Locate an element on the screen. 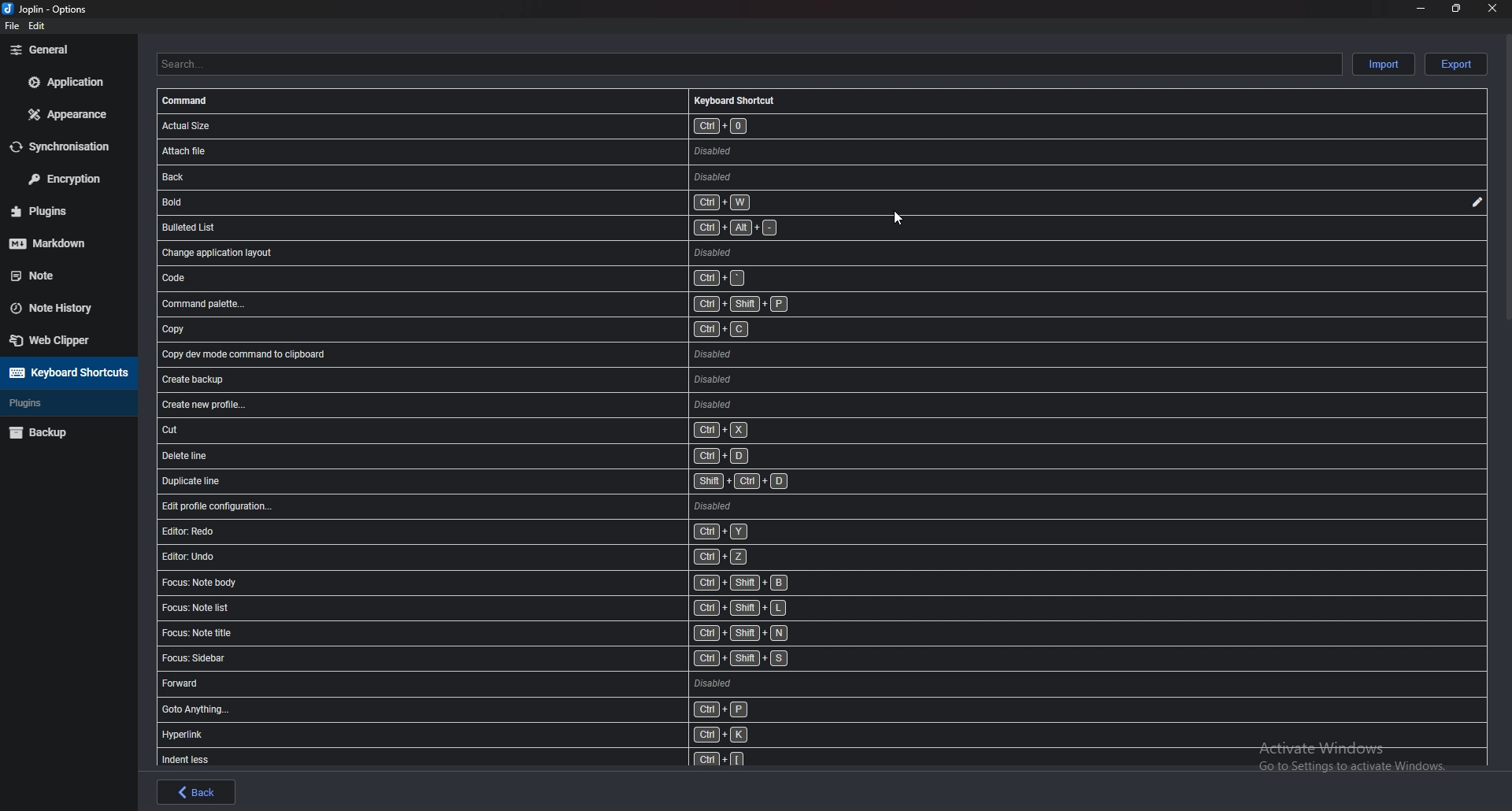  shortcut is located at coordinates (477, 252).